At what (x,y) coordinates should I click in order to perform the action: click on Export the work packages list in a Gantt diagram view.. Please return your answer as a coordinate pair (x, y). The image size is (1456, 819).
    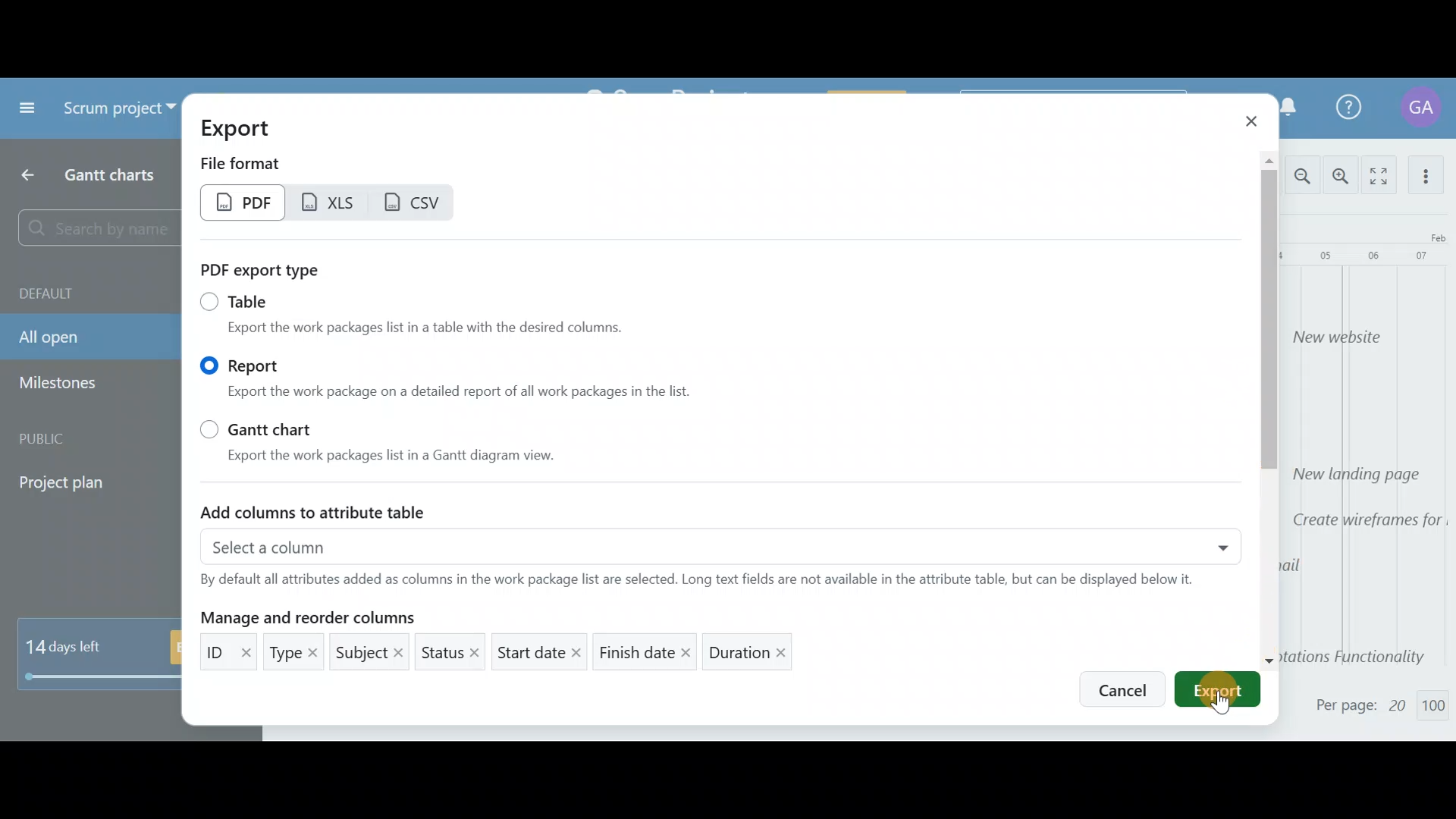
    Looking at the image, I should click on (406, 460).